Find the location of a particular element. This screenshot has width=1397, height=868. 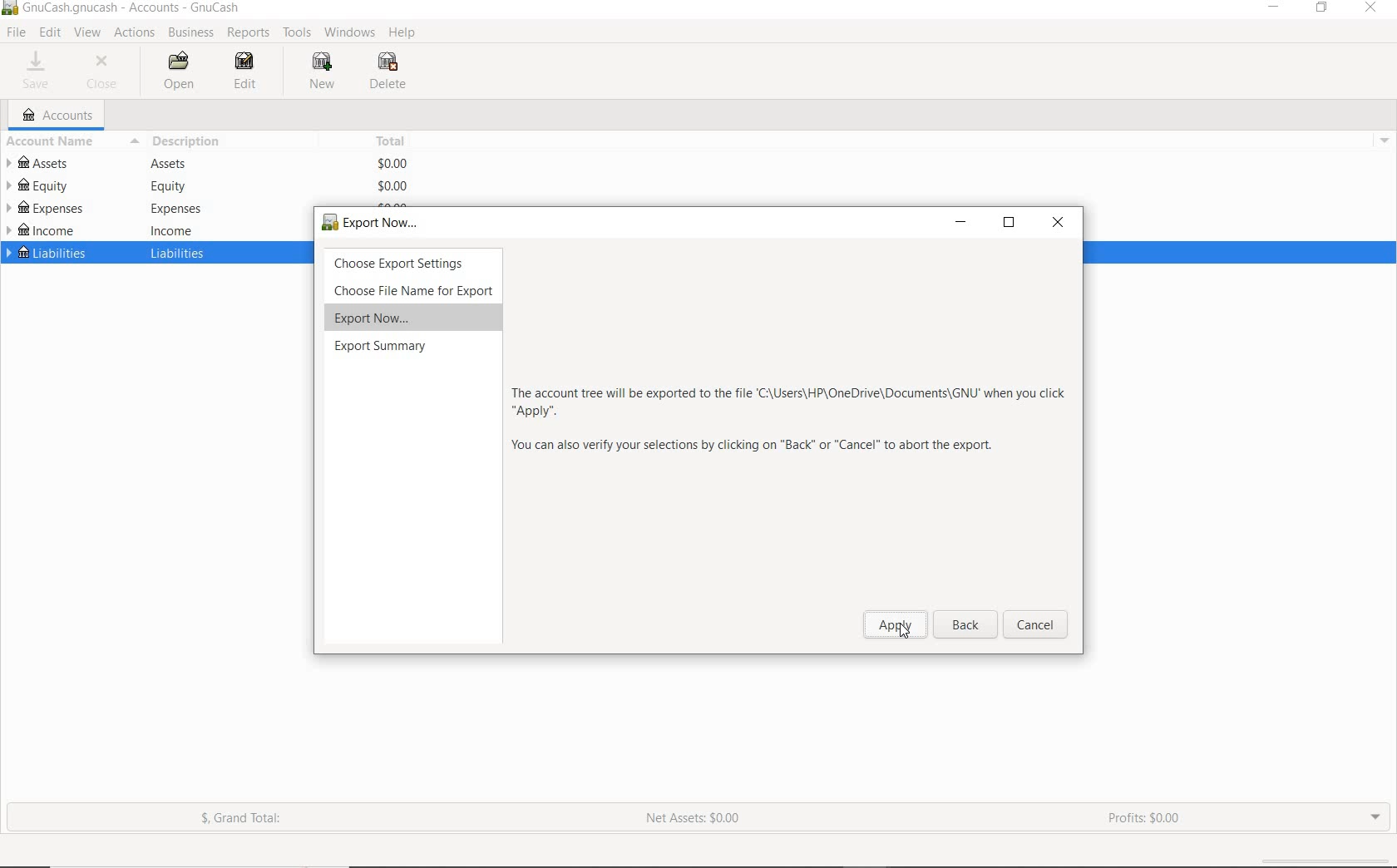

ACCOUNT NAME is located at coordinates (49, 143).